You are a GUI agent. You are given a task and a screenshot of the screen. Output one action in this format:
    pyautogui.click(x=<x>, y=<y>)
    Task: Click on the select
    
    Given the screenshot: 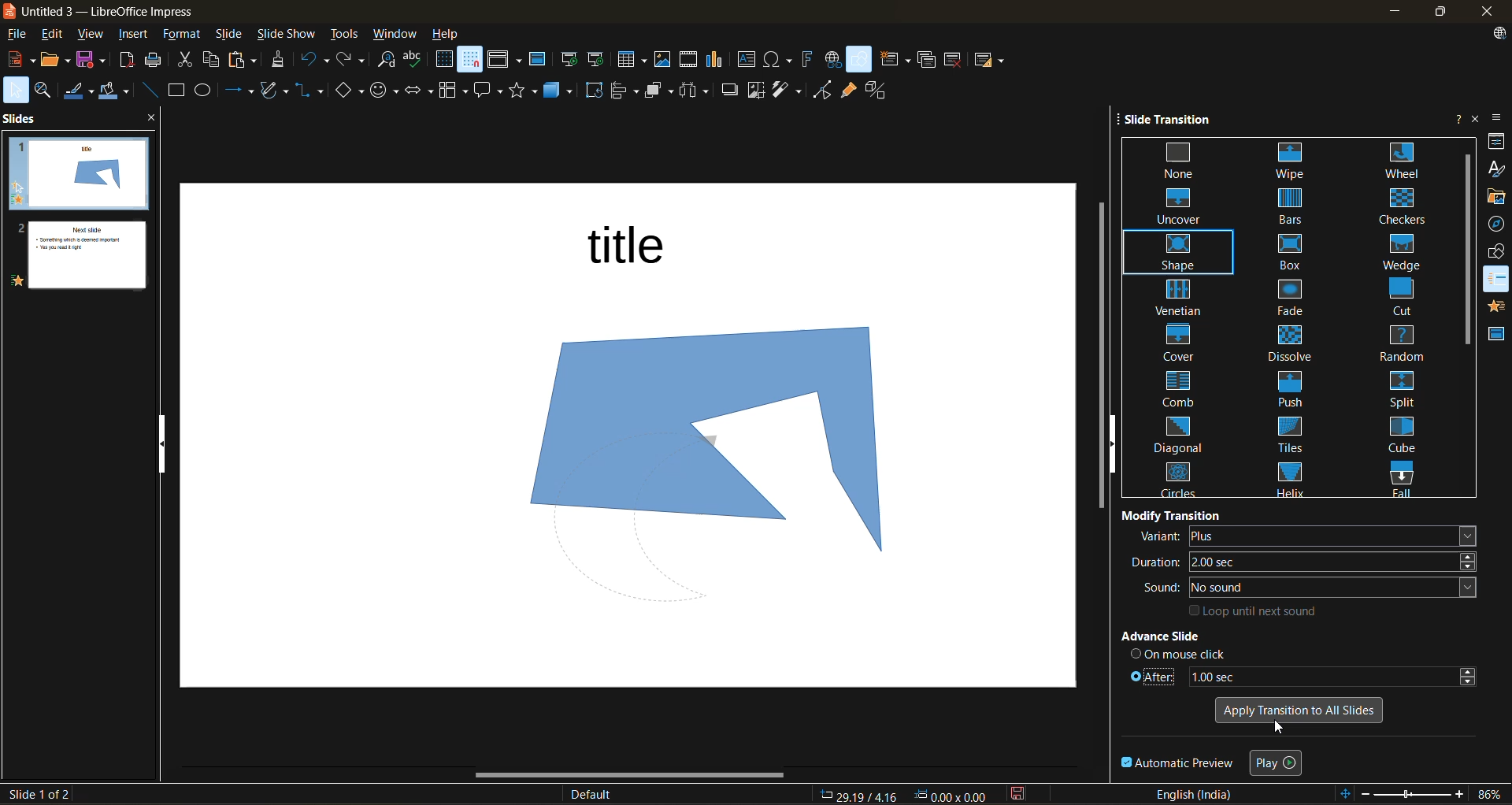 What is the action you would take?
    pyautogui.click(x=15, y=92)
    